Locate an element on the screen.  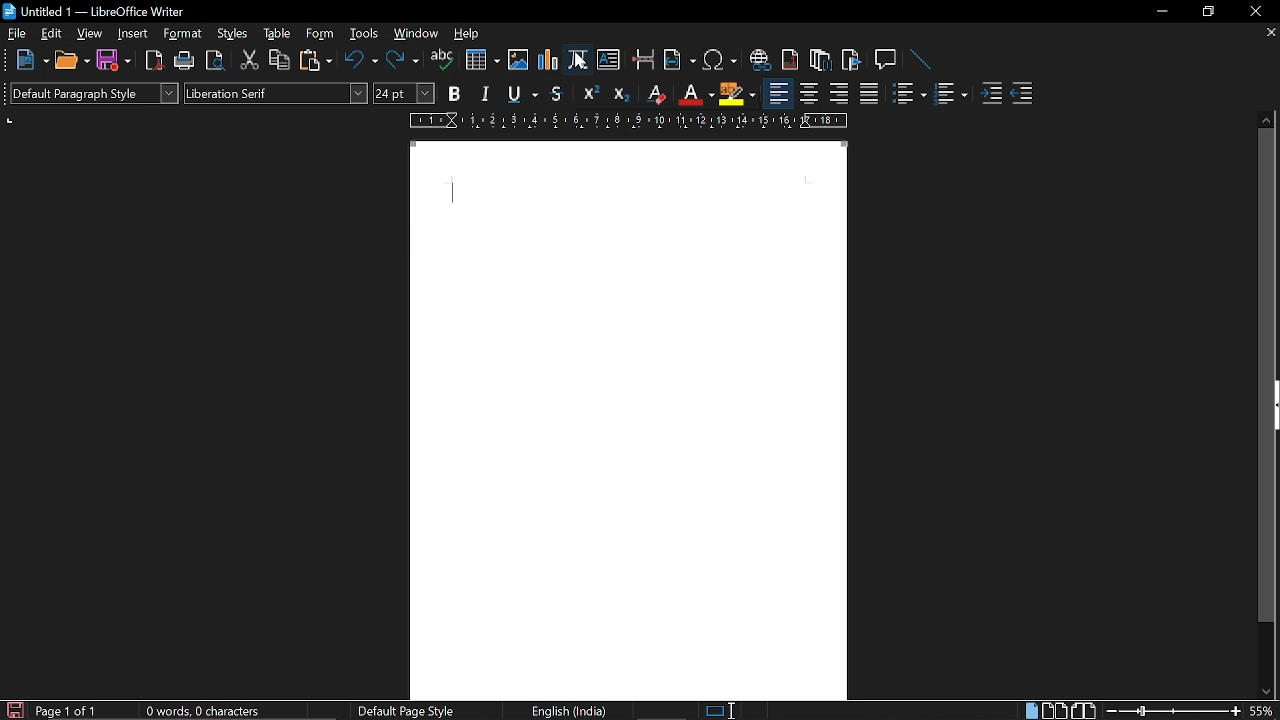
close is located at coordinates (1256, 12).